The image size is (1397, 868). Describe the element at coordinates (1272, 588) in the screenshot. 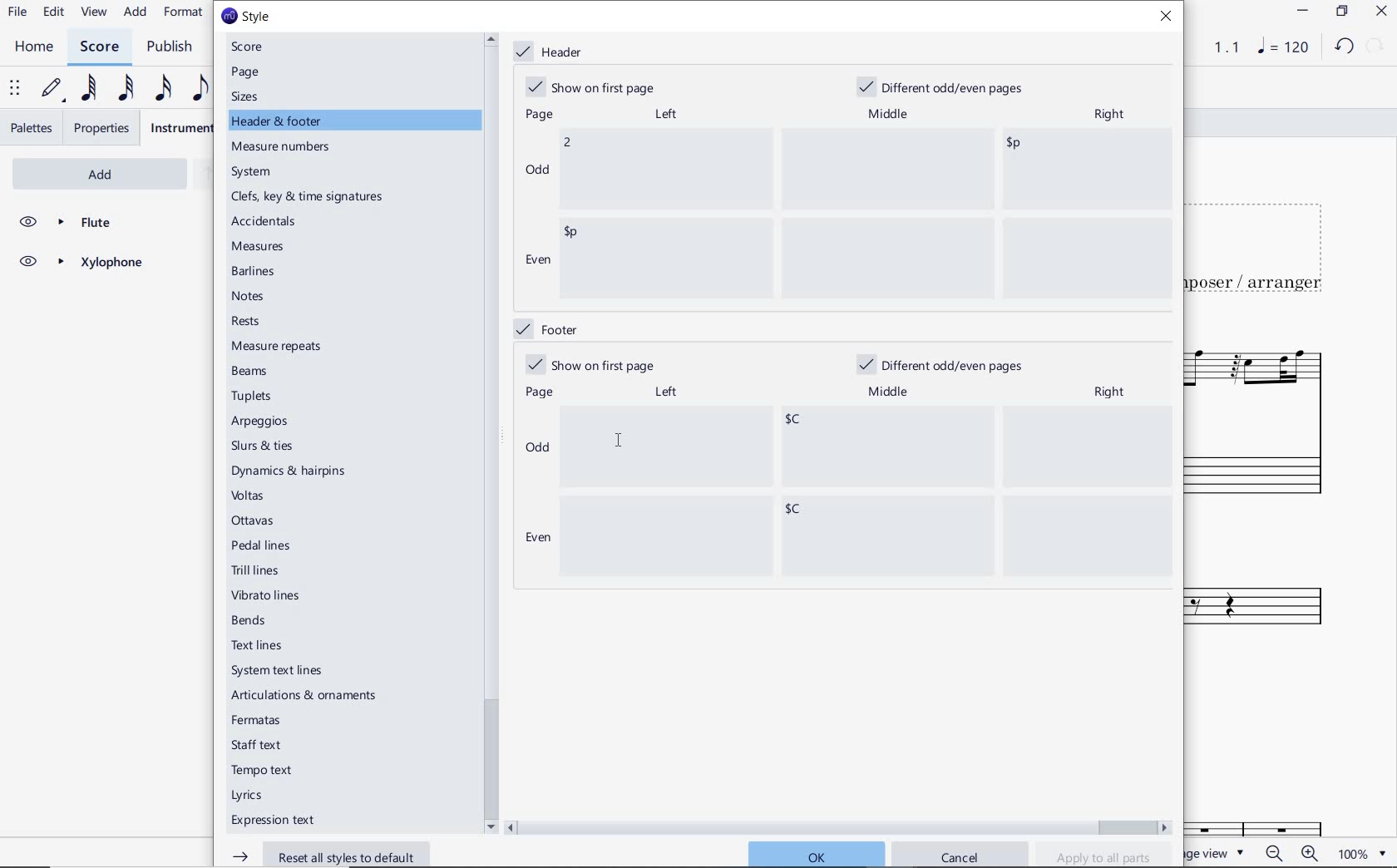

I see `Xylophone` at that location.